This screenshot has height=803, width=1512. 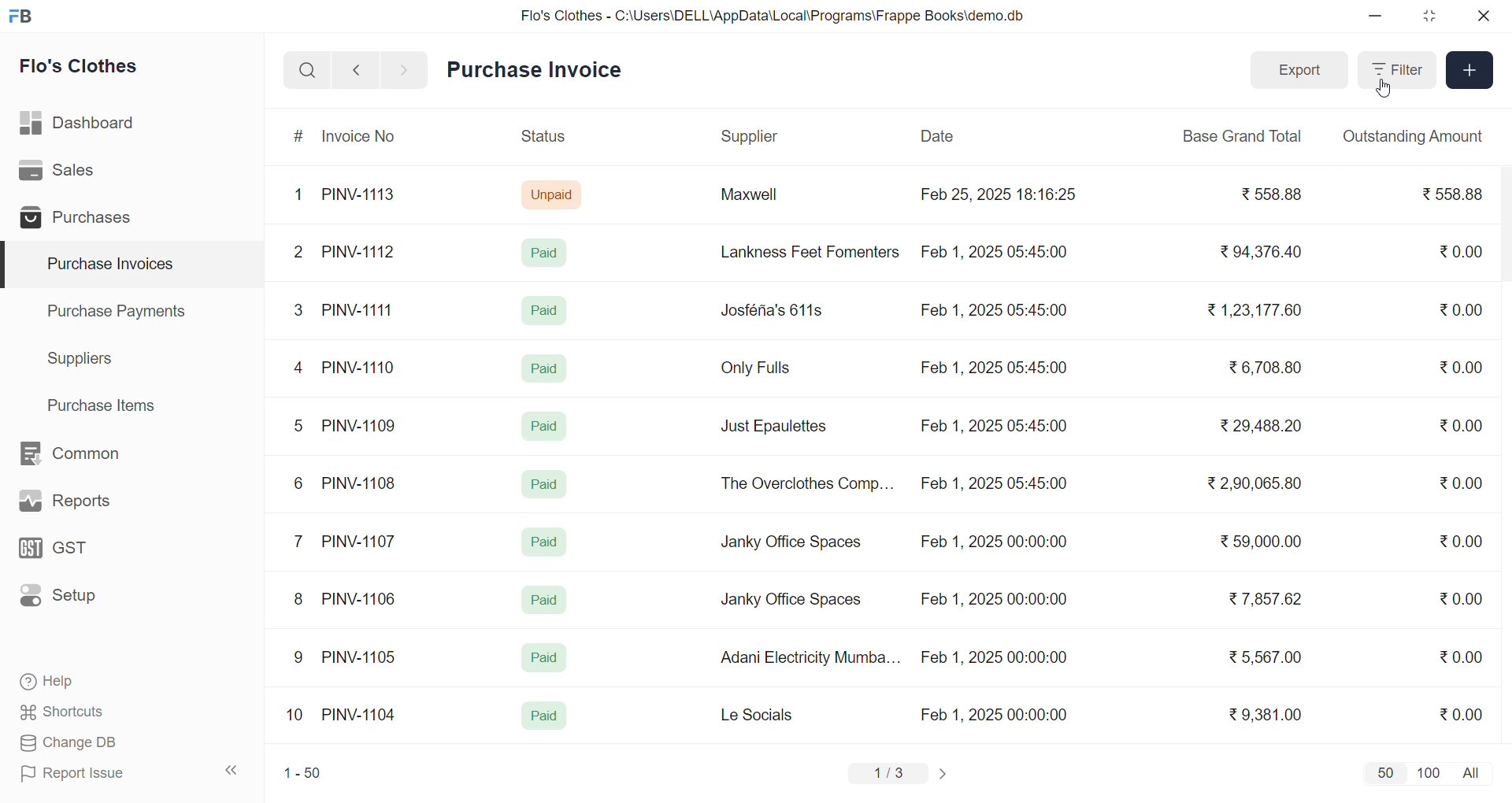 I want to click on 3, so click(x=298, y=309).